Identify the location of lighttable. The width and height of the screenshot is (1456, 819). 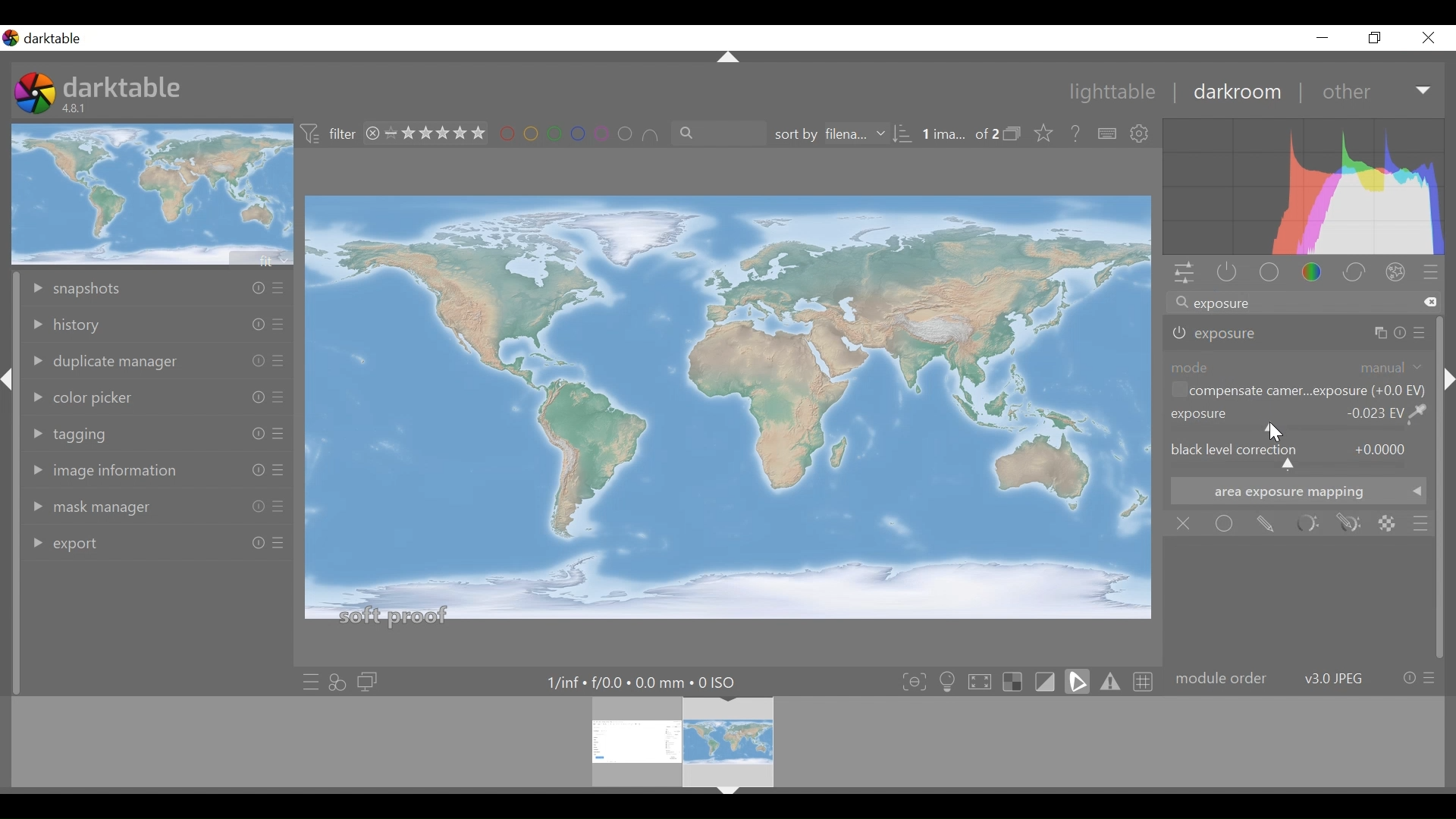
(1113, 93).